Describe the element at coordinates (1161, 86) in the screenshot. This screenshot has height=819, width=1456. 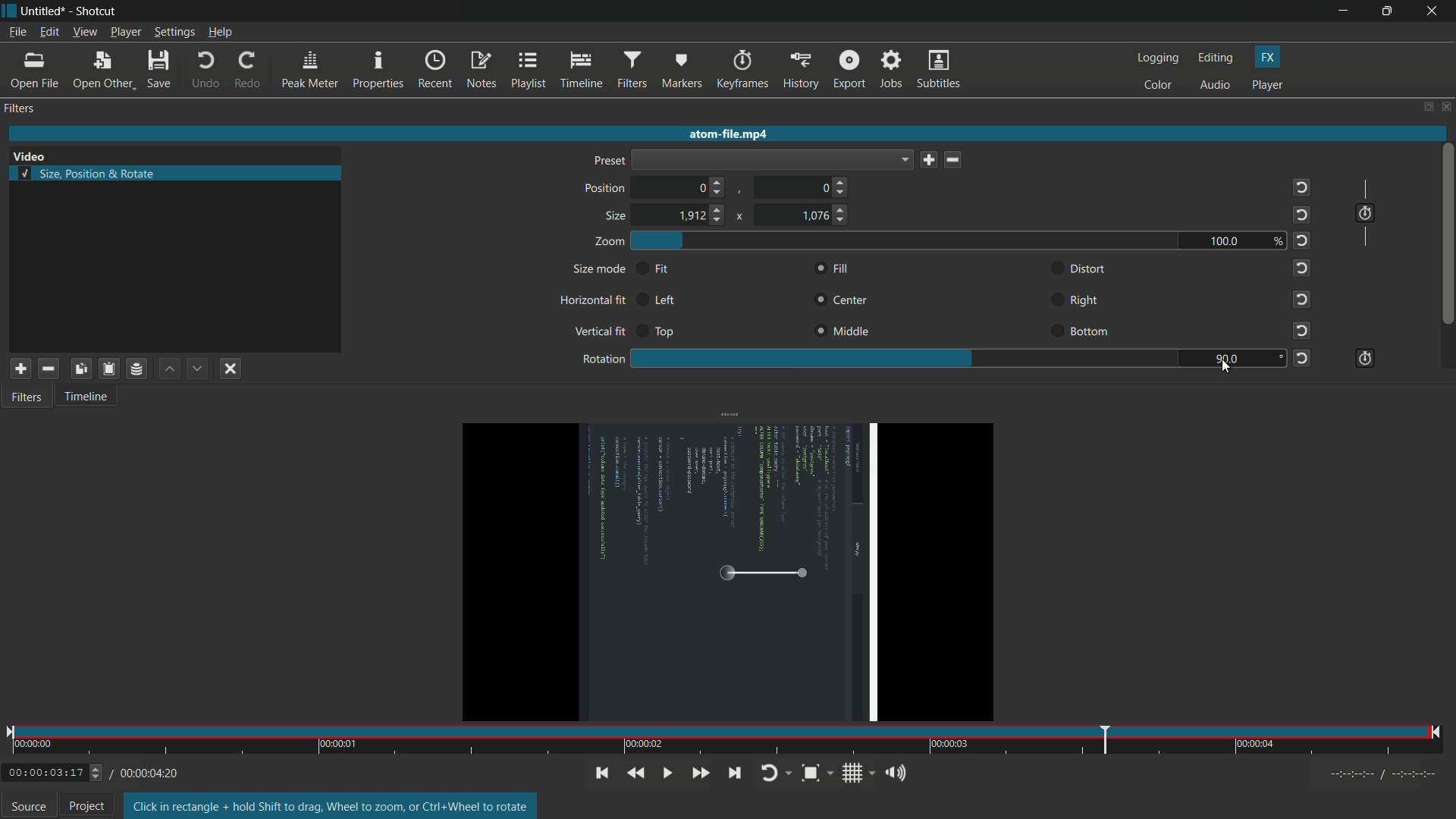
I see `color` at that location.